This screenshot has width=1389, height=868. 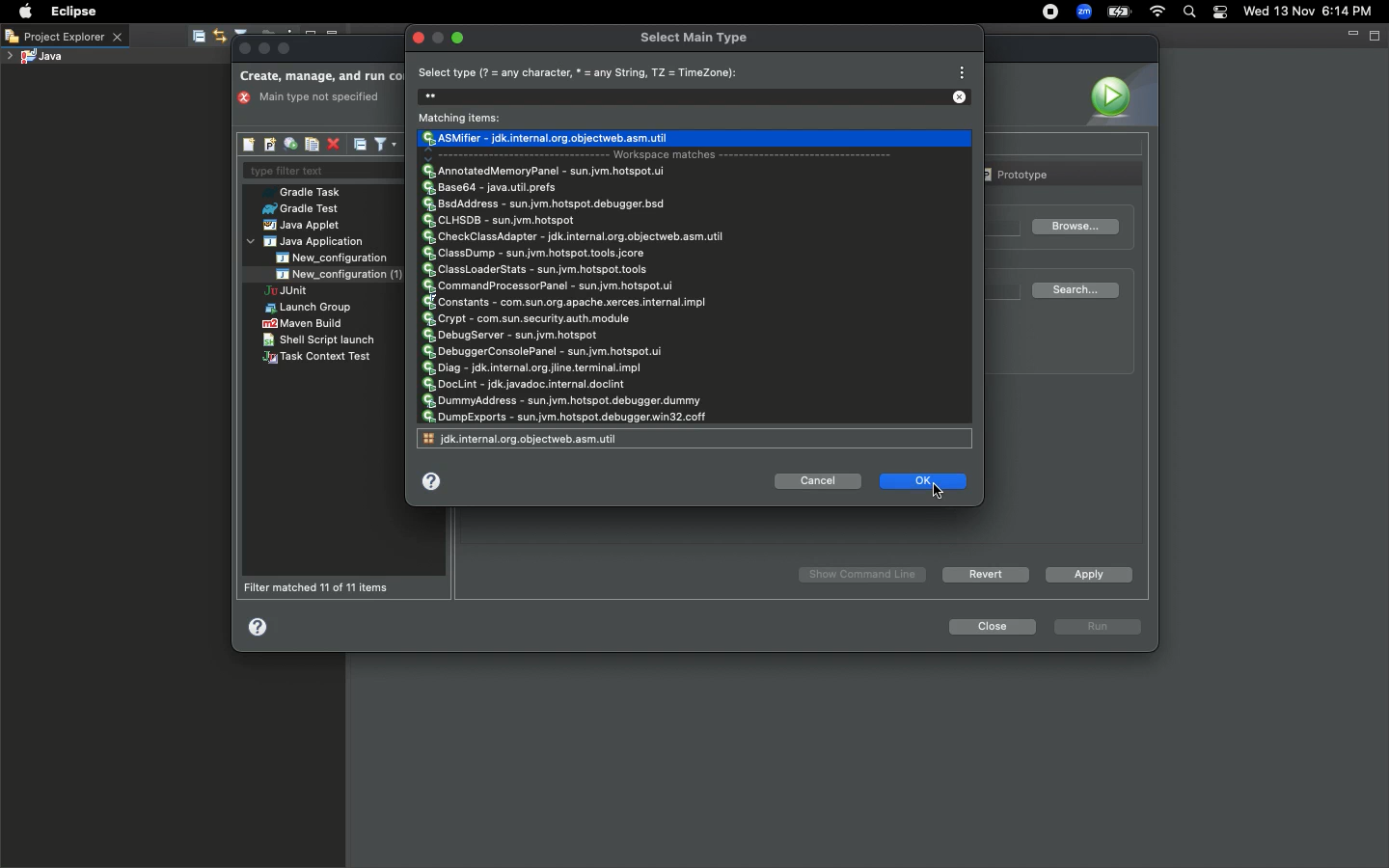 I want to click on New launch configuration prototype, so click(x=268, y=145).